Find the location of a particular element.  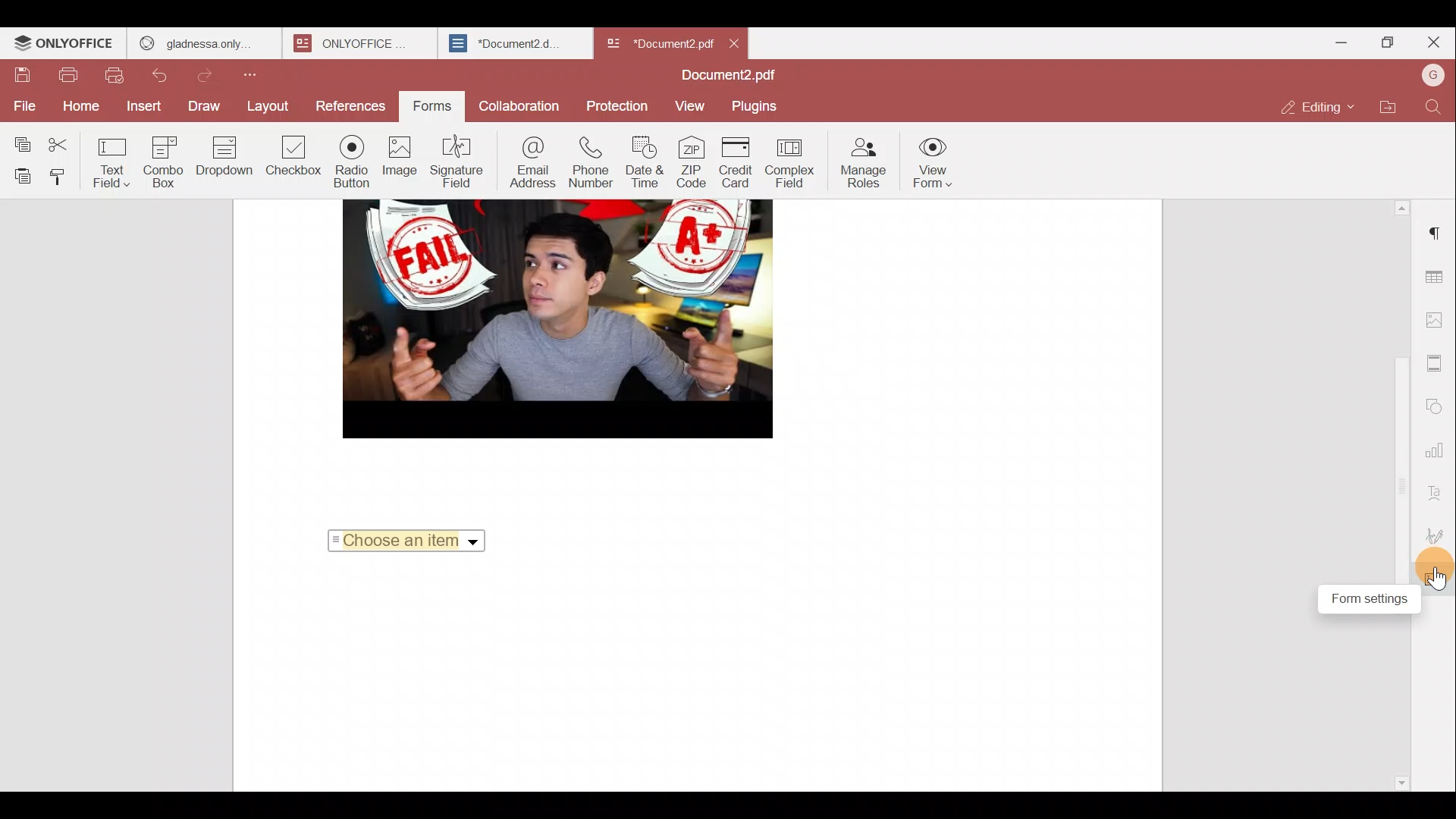

Form setting is located at coordinates (1356, 598).